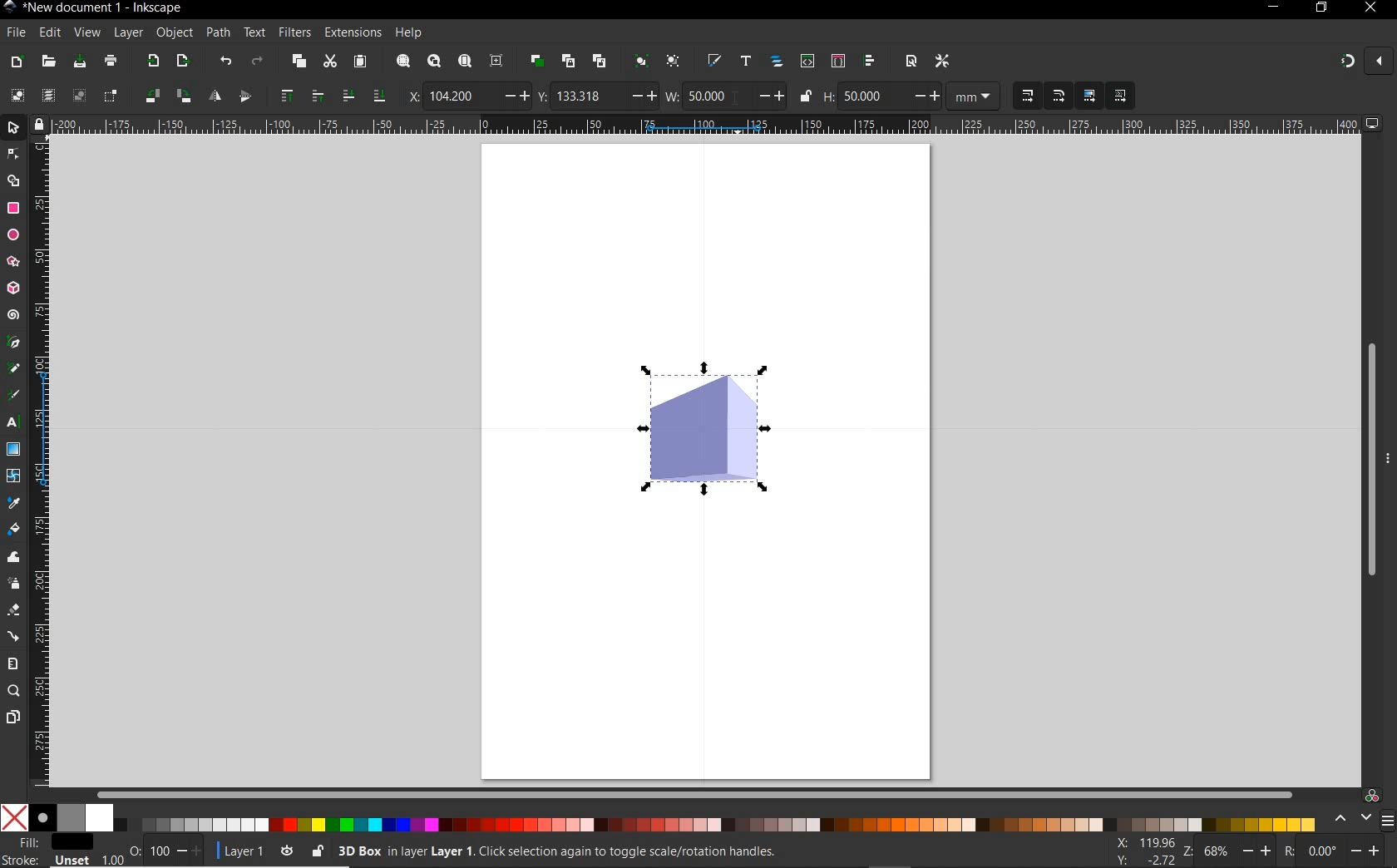 This screenshot has height=868, width=1397. I want to click on cursor, so click(734, 97).